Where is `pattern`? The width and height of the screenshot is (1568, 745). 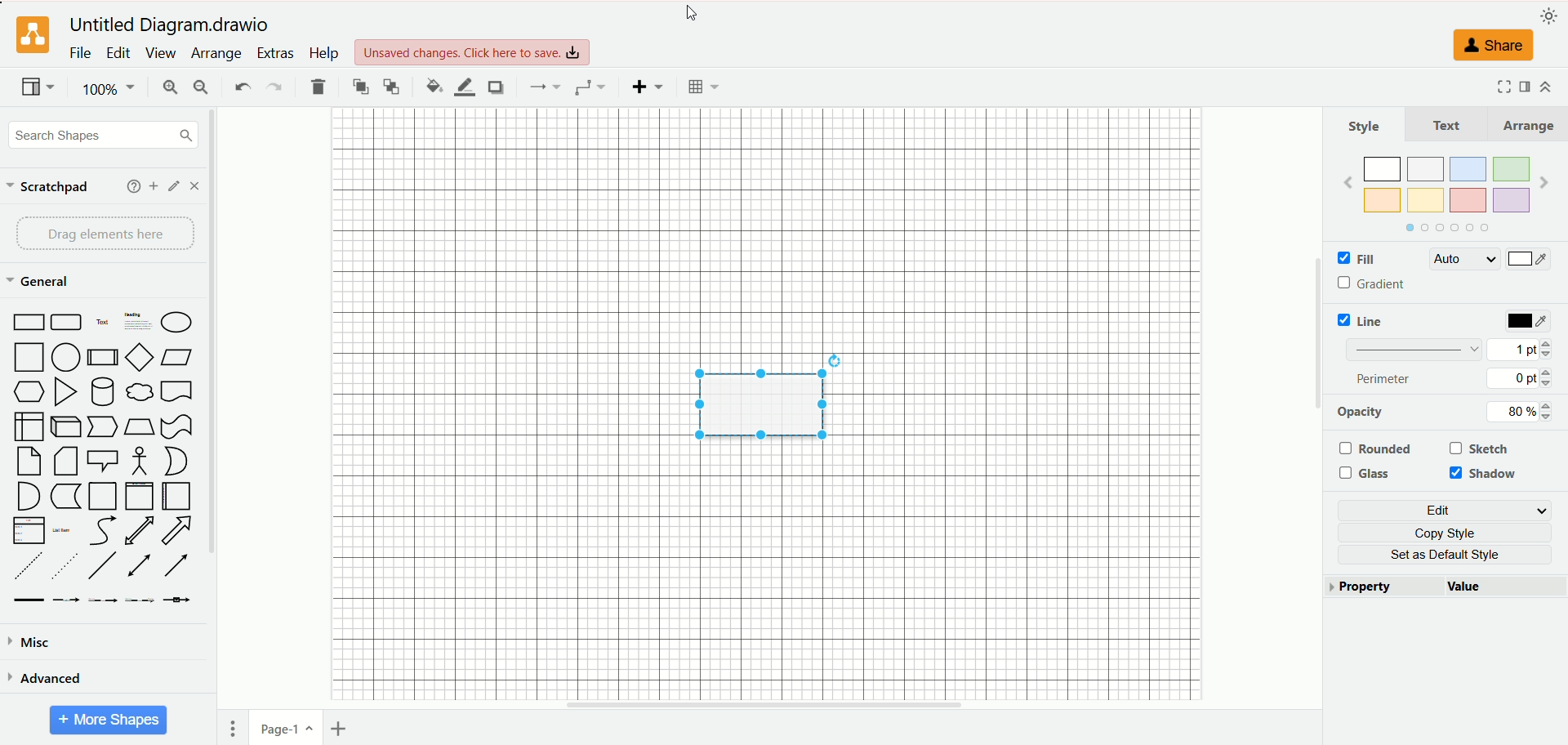
pattern is located at coordinates (1414, 348).